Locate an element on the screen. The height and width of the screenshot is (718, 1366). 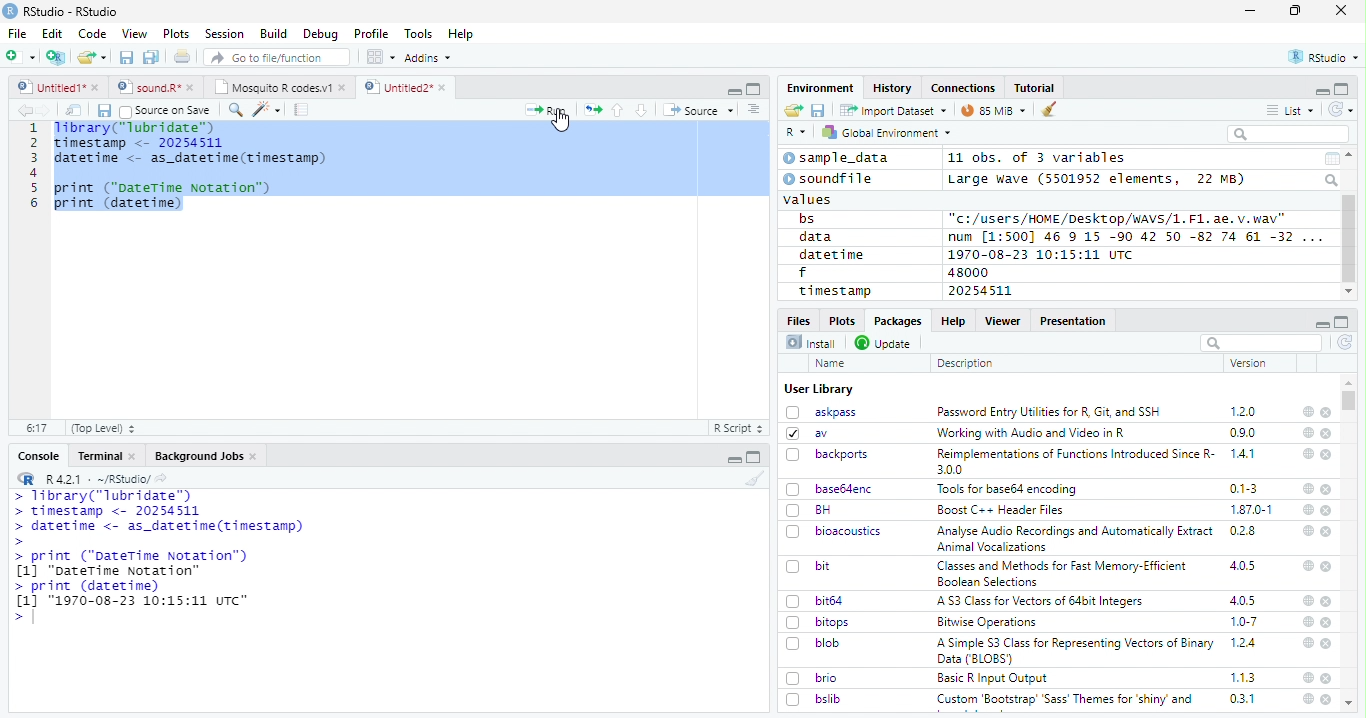
data is located at coordinates (819, 237).